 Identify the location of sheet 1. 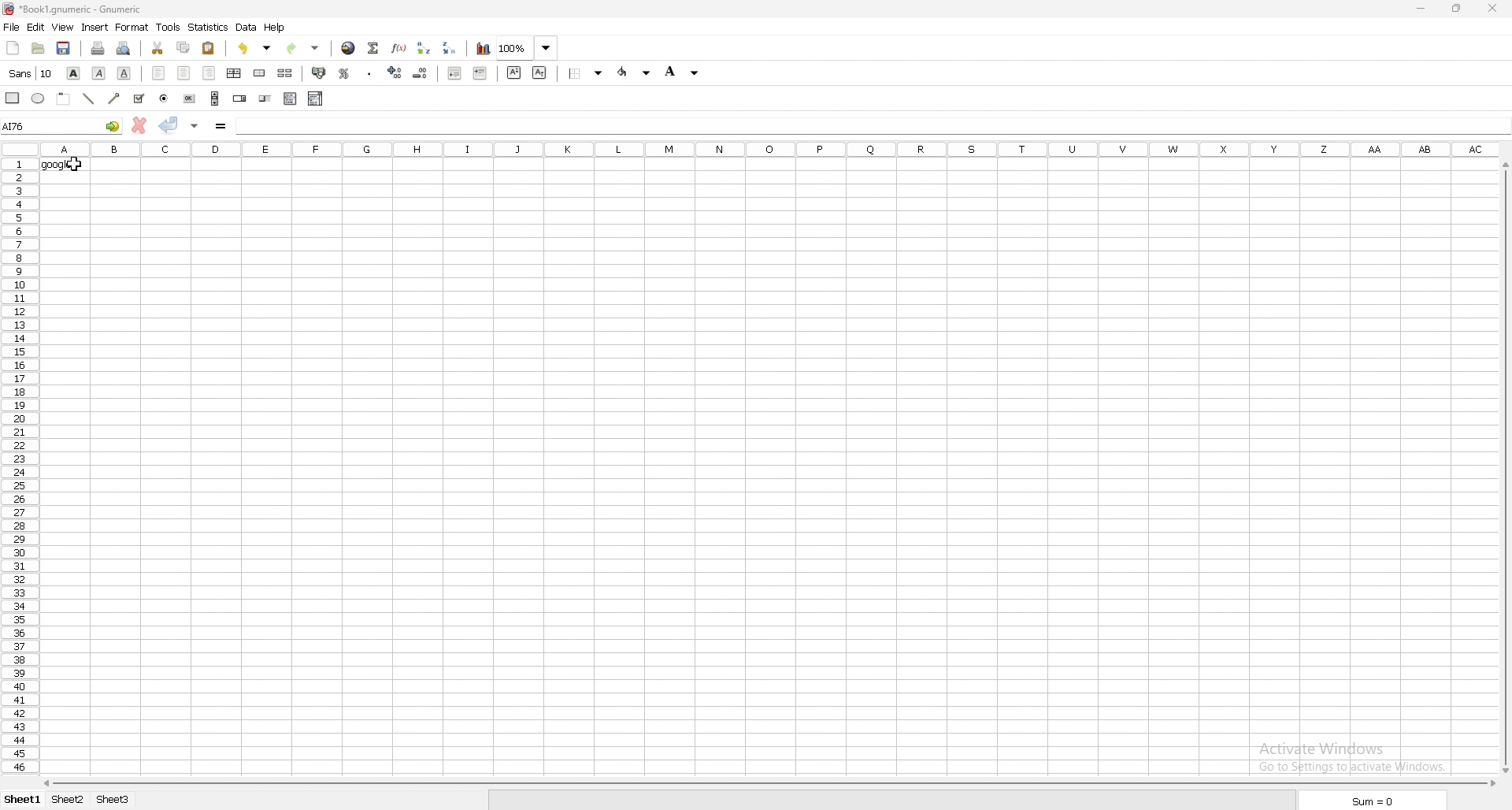
(24, 799).